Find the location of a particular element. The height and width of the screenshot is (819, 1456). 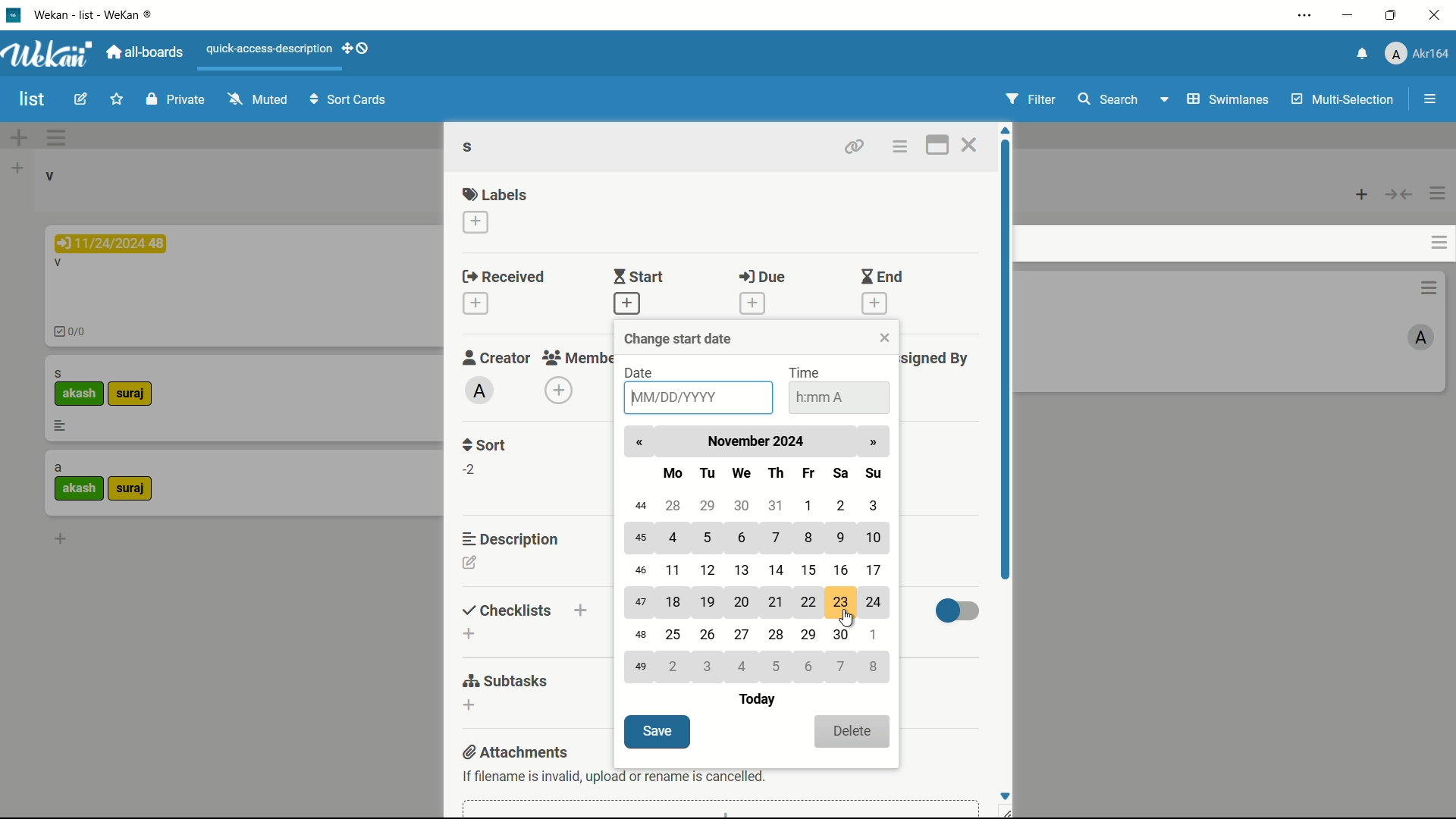

add card bottom is located at coordinates (60, 538).